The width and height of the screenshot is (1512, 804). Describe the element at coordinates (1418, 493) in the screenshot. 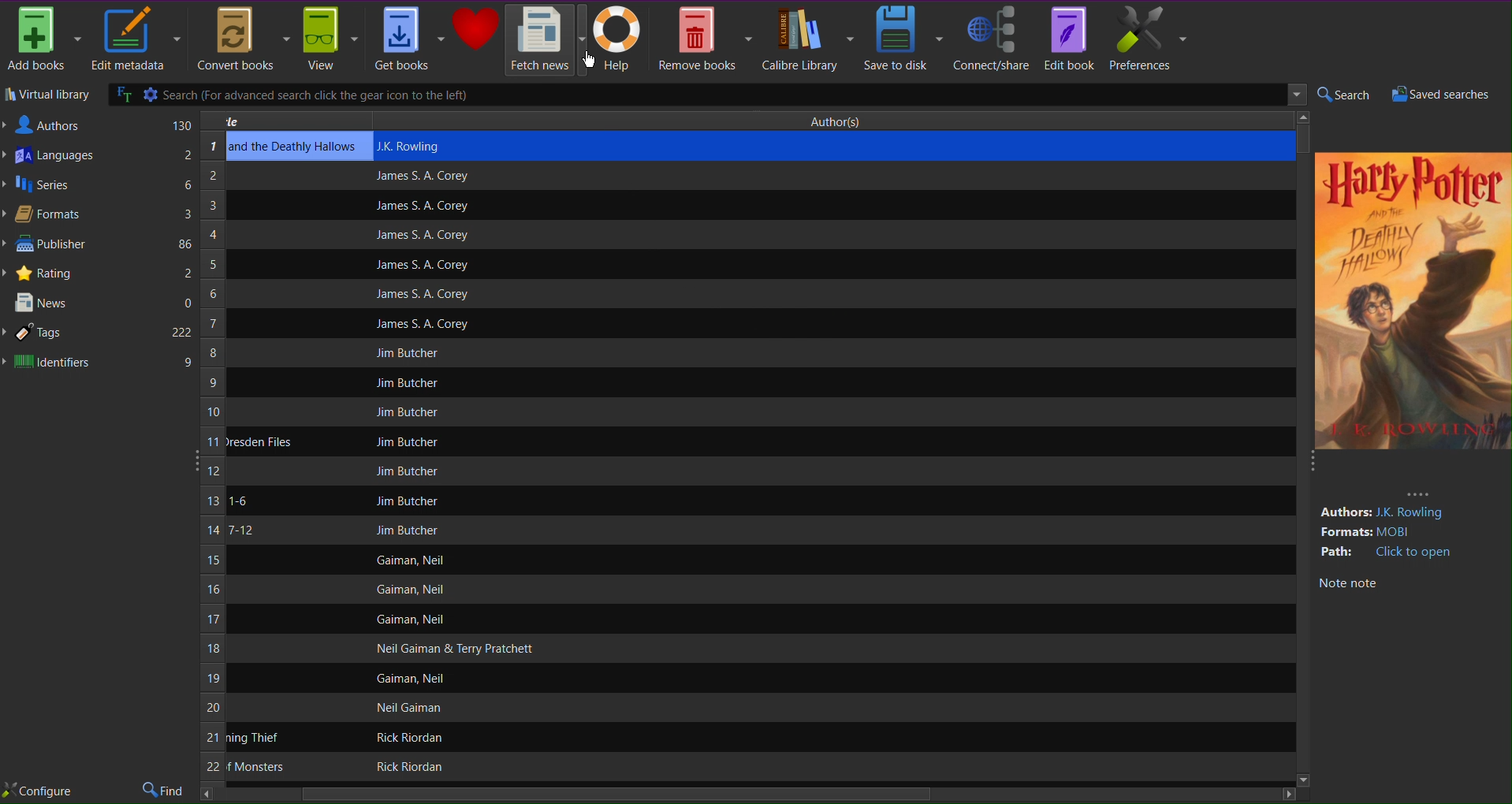

I see `more` at that location.